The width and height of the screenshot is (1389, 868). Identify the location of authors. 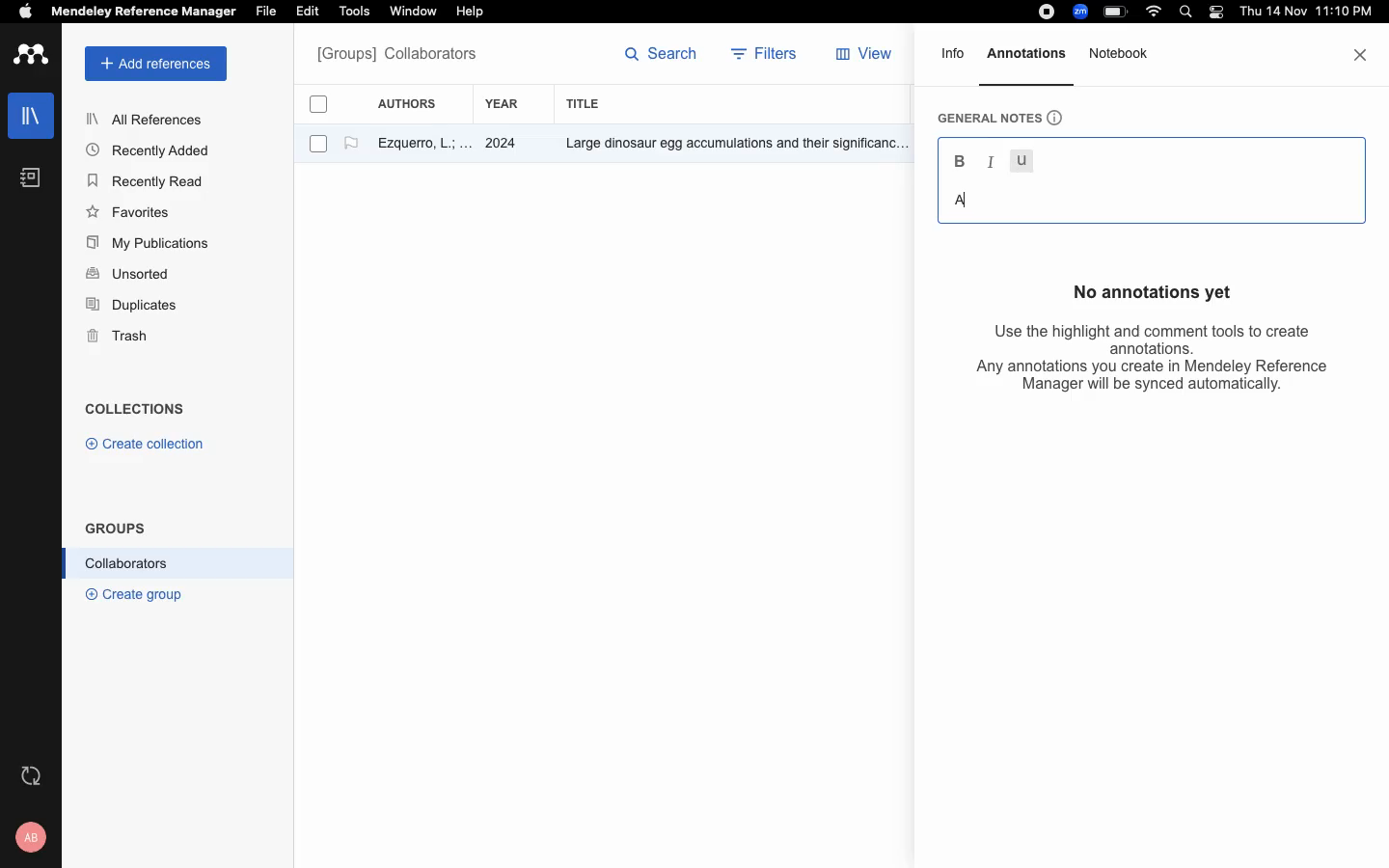
(418, 103).